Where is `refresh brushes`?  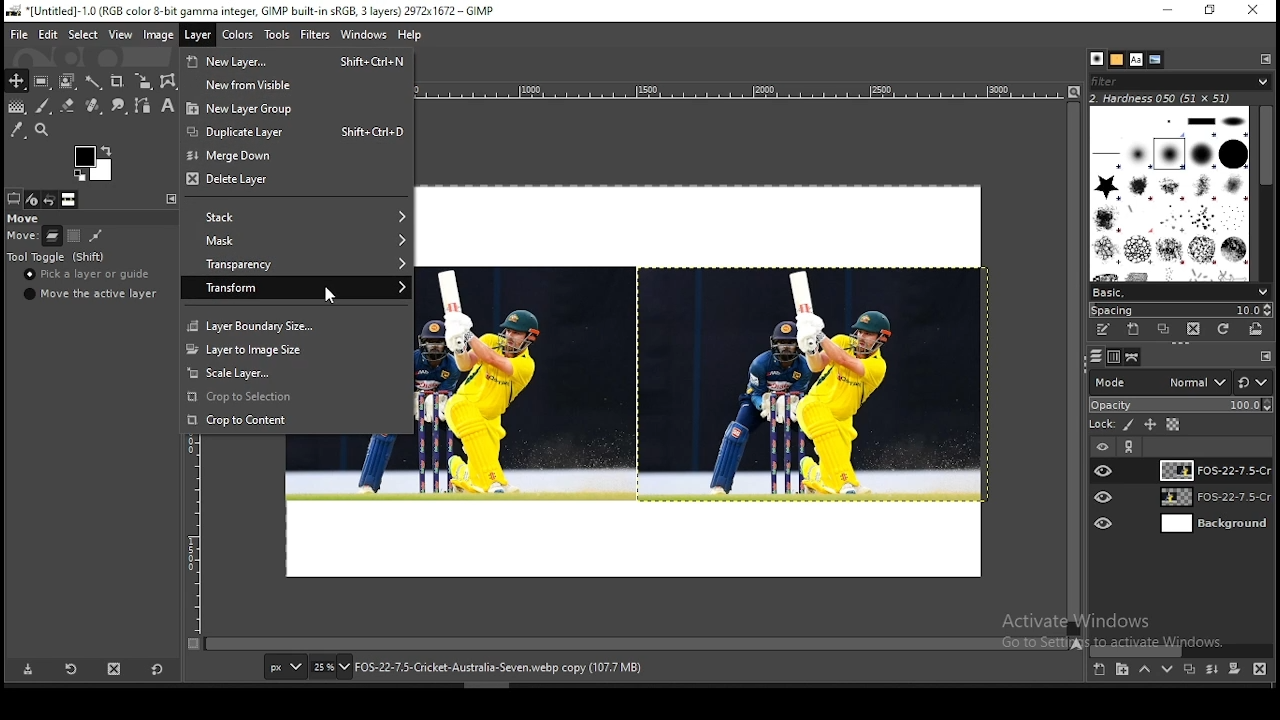 refresh brushes is located at coordinates (1225, 329).